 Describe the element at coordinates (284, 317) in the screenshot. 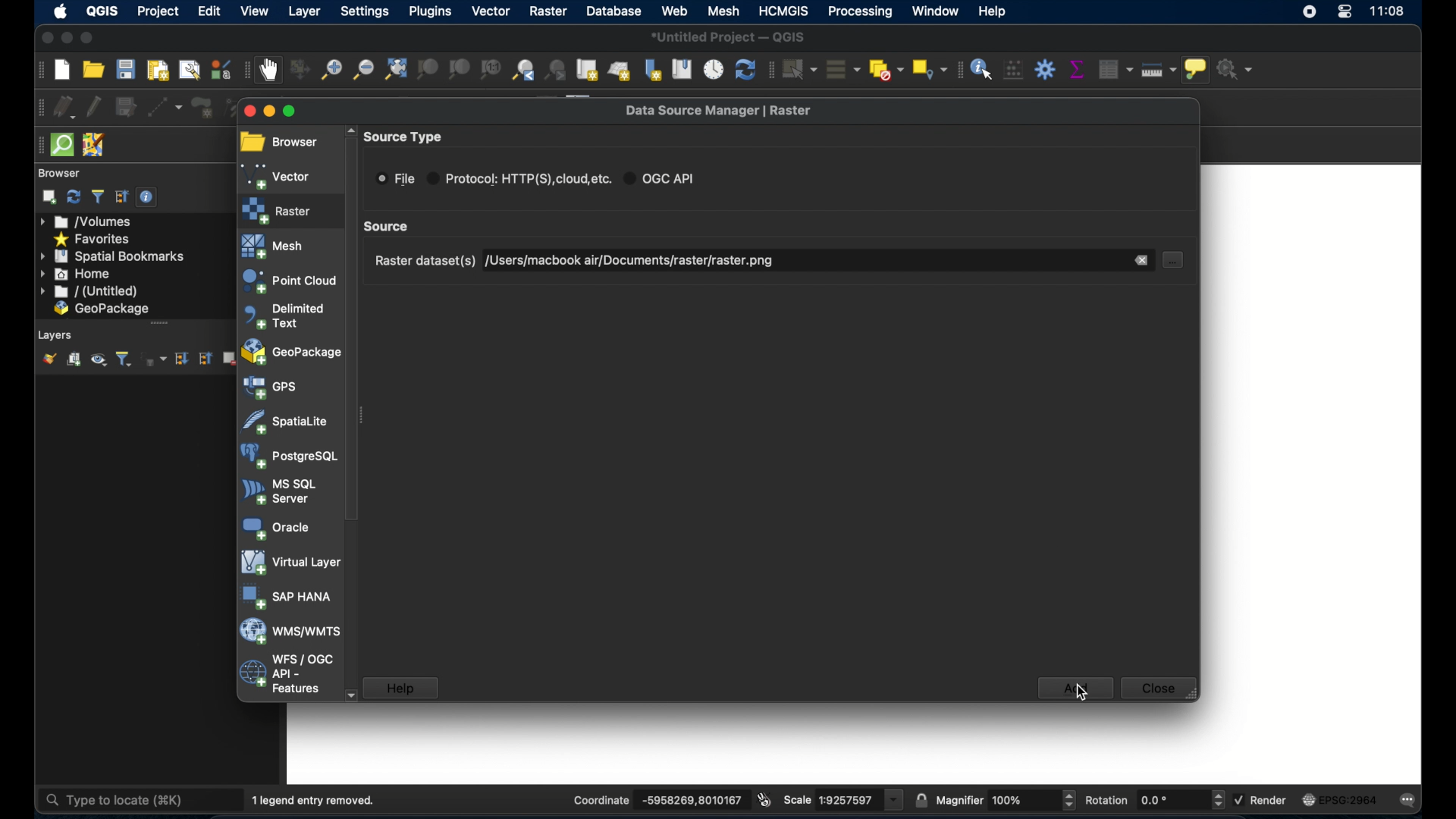

I see `delimited text` at that location.